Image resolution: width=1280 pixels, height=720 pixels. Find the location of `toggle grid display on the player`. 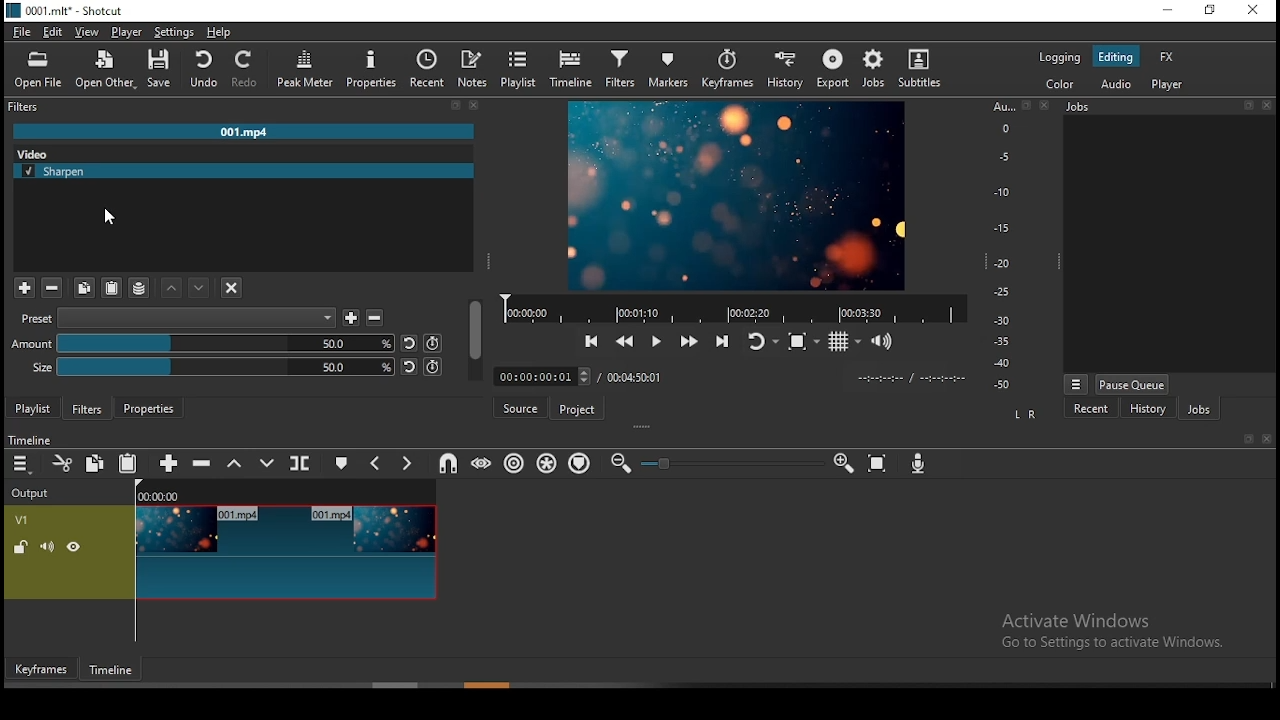

toggle grid display on the player is located at coordinates (842, 343).